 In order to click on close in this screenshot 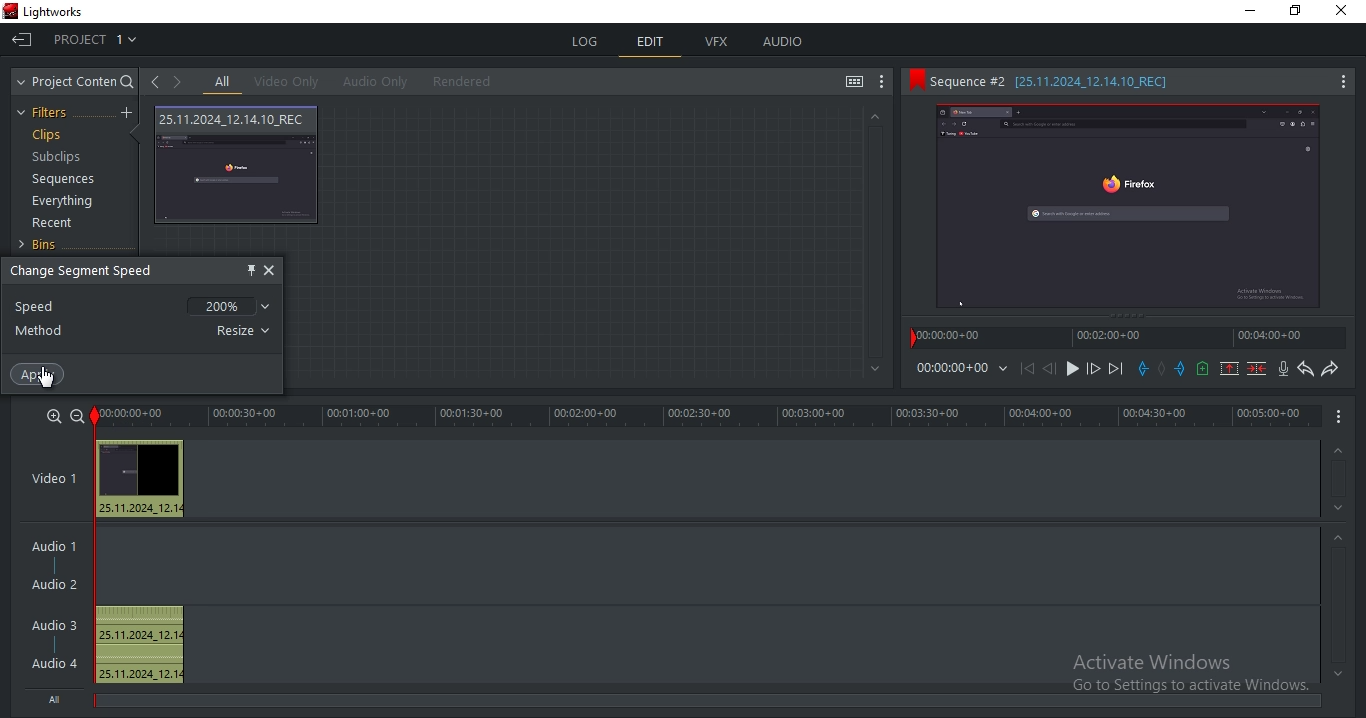, I will do `click(1346, 12)`.